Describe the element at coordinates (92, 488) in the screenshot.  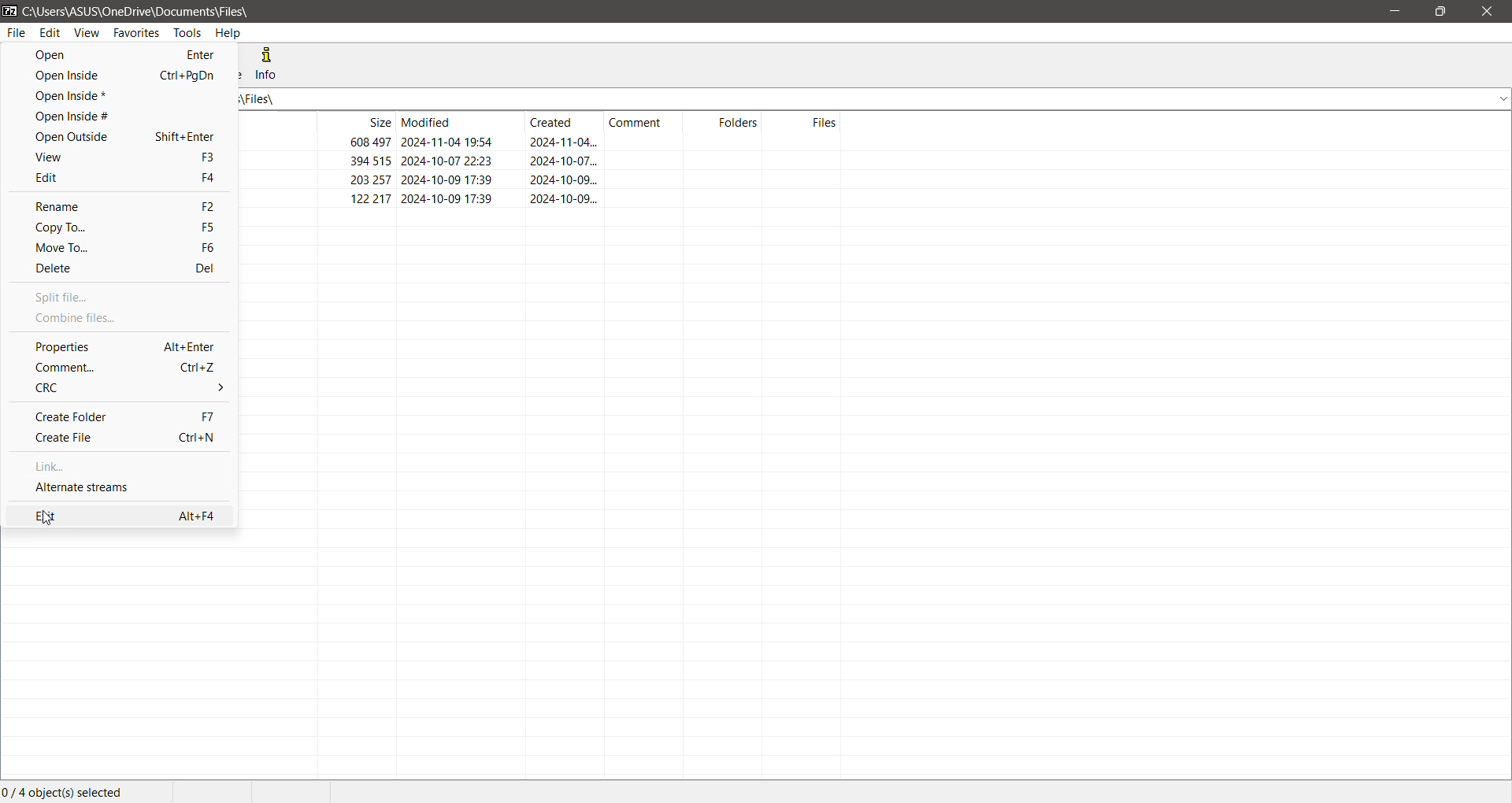
I see `Alternate Streams` at that location.